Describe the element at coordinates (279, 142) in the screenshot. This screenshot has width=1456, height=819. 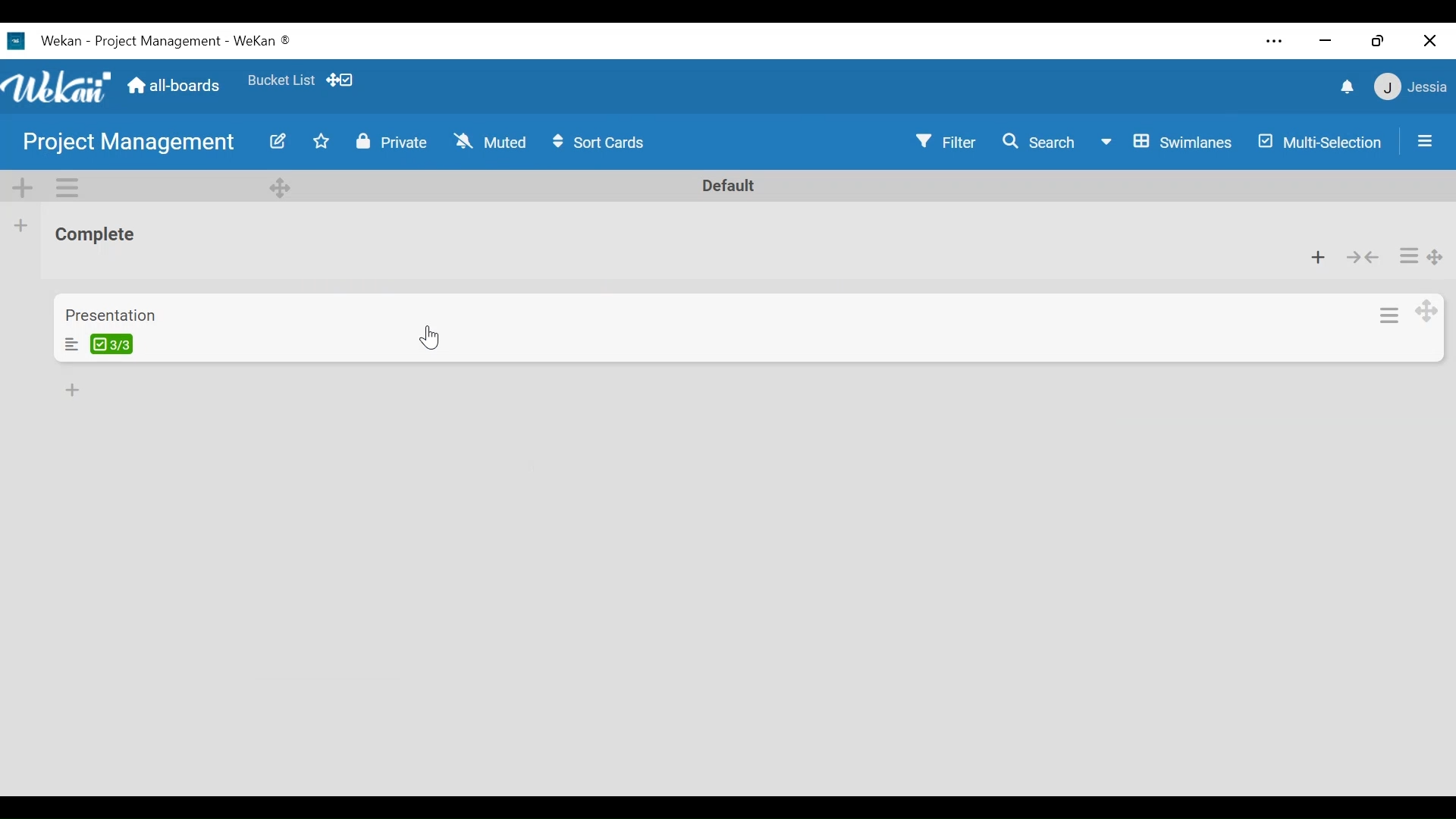
I see `edit` at that location.